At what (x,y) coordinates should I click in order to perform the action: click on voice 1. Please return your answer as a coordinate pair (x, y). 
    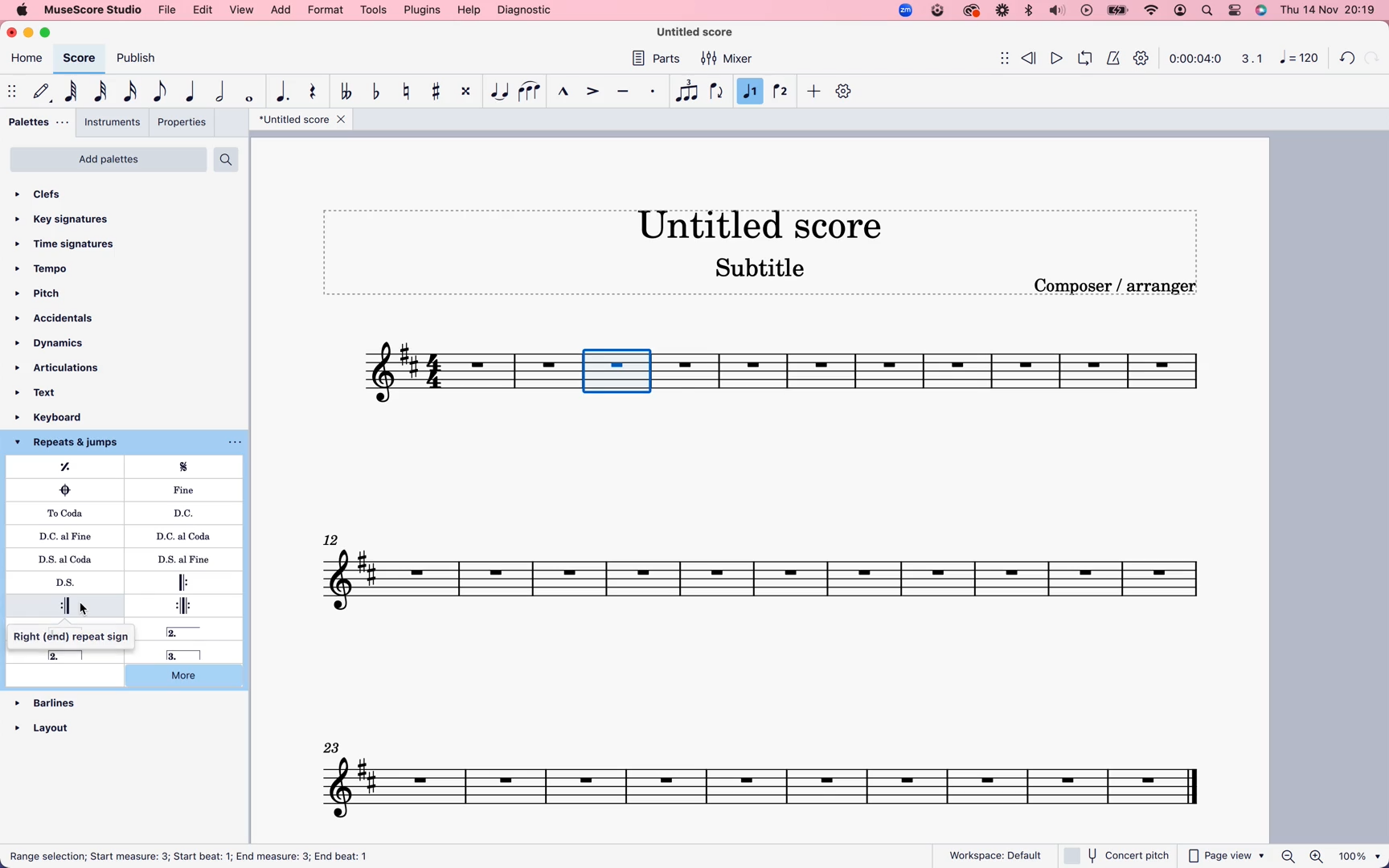
    Looking at the image, I should click on (750, 92).